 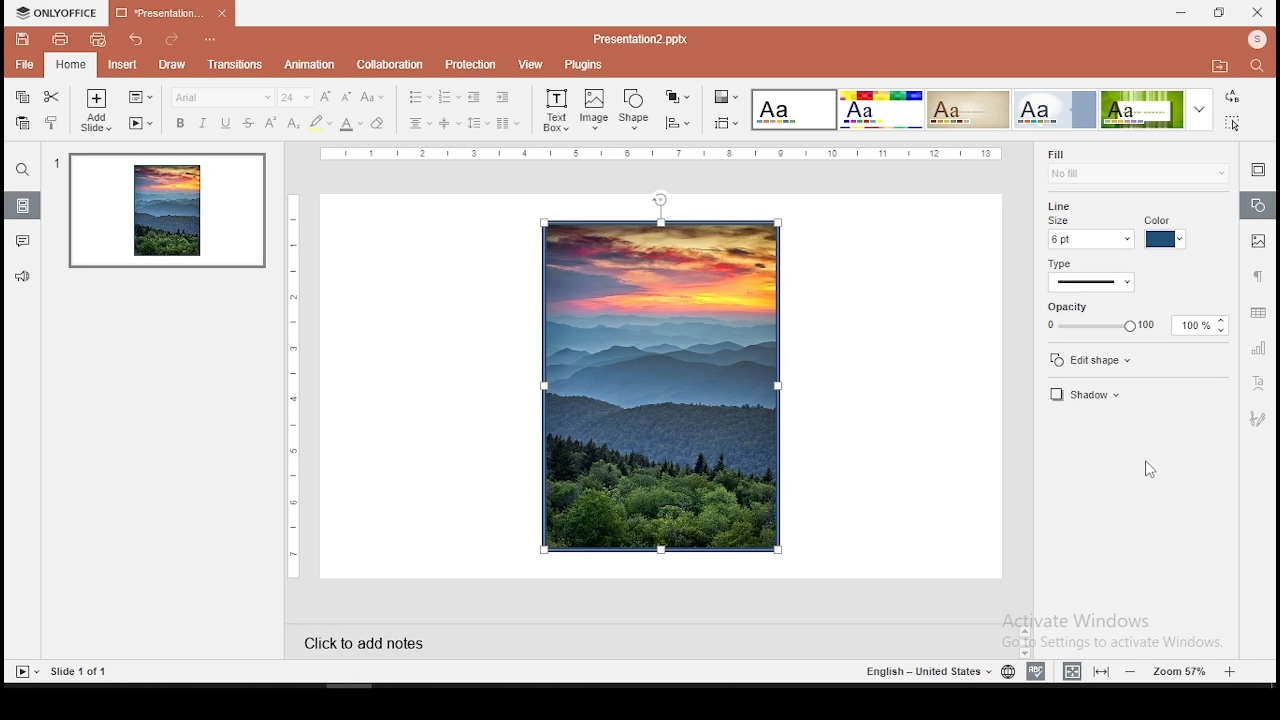 What do you see at coordinates (1232, 123) in the screenshot?
I see `select all` at bounding box center [1232, 123].